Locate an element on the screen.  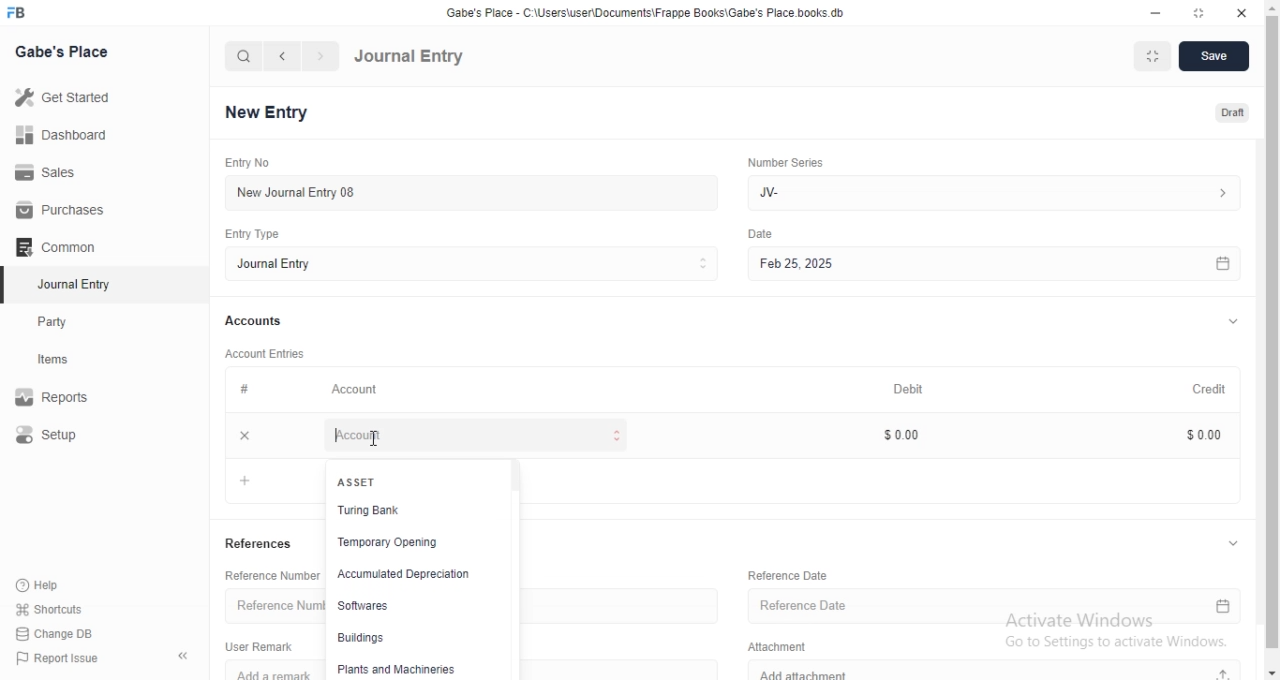
Reference Date is located at coordinates (793, 574).